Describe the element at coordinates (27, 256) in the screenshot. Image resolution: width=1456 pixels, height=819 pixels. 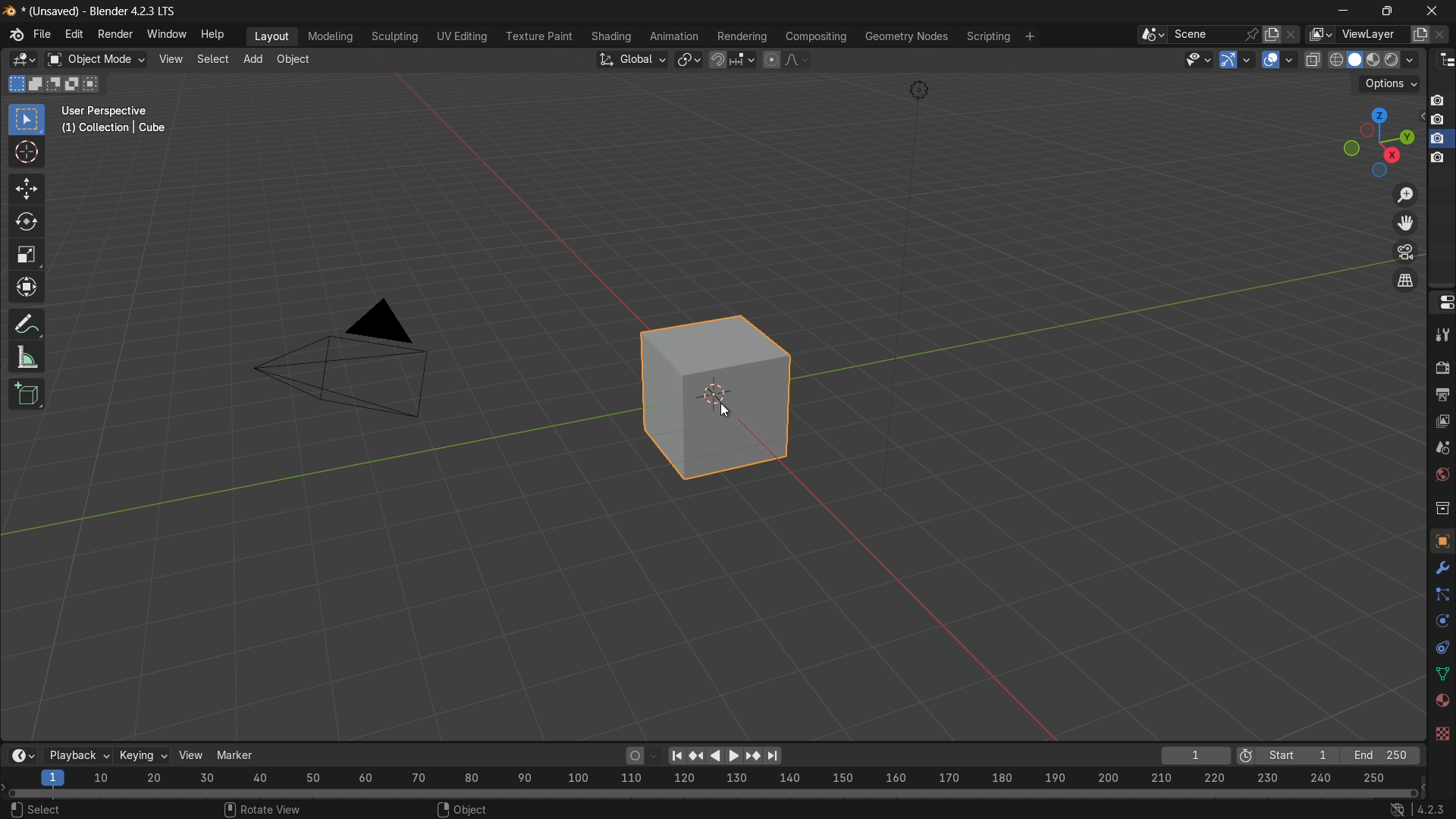
I see `scale` at that location.